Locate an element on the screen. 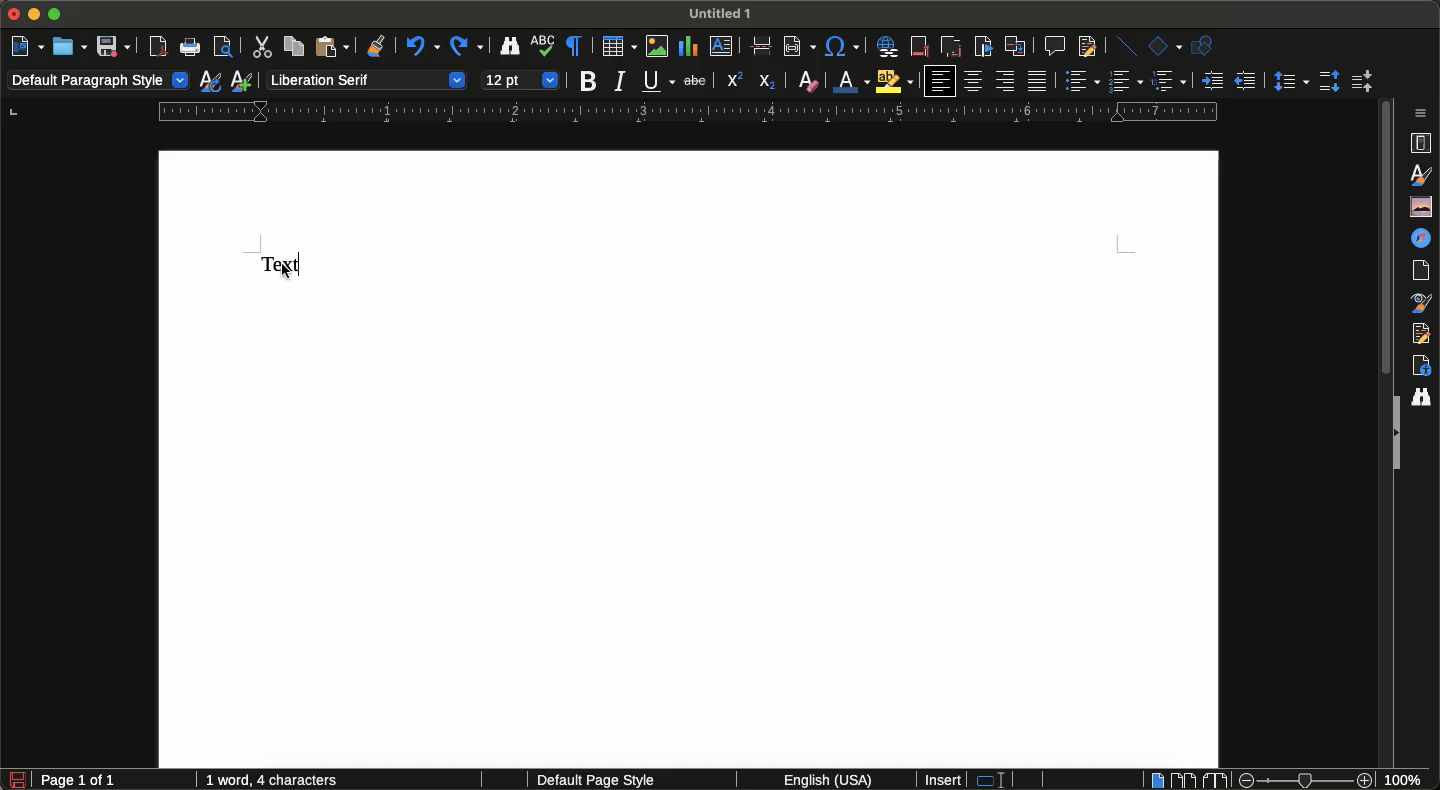 This screenshot has height=790, width=1440. Word and character count is located at coordinates (278, 781).